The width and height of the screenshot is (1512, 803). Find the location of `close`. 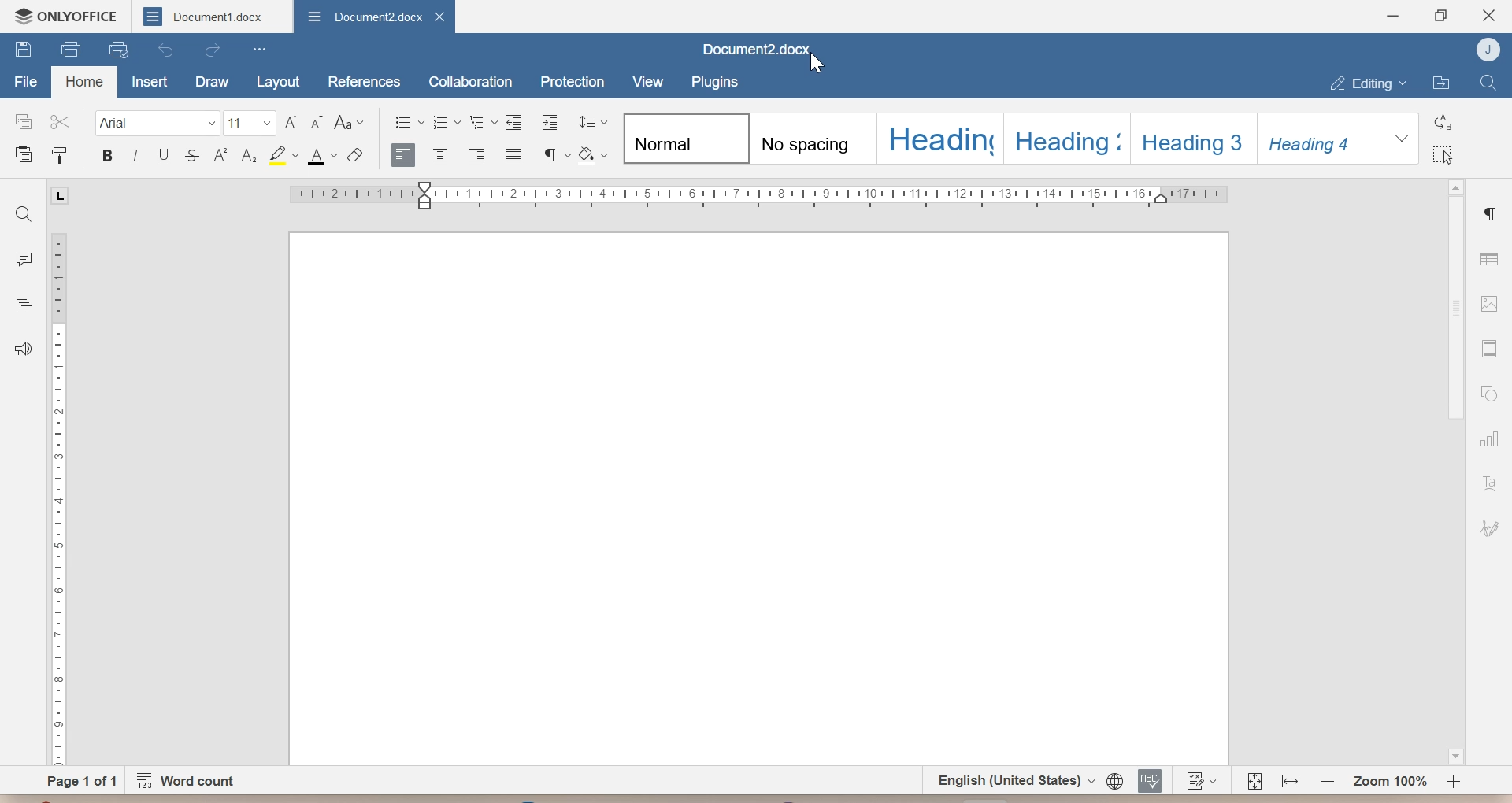

close is located at coordinates (443, 17).